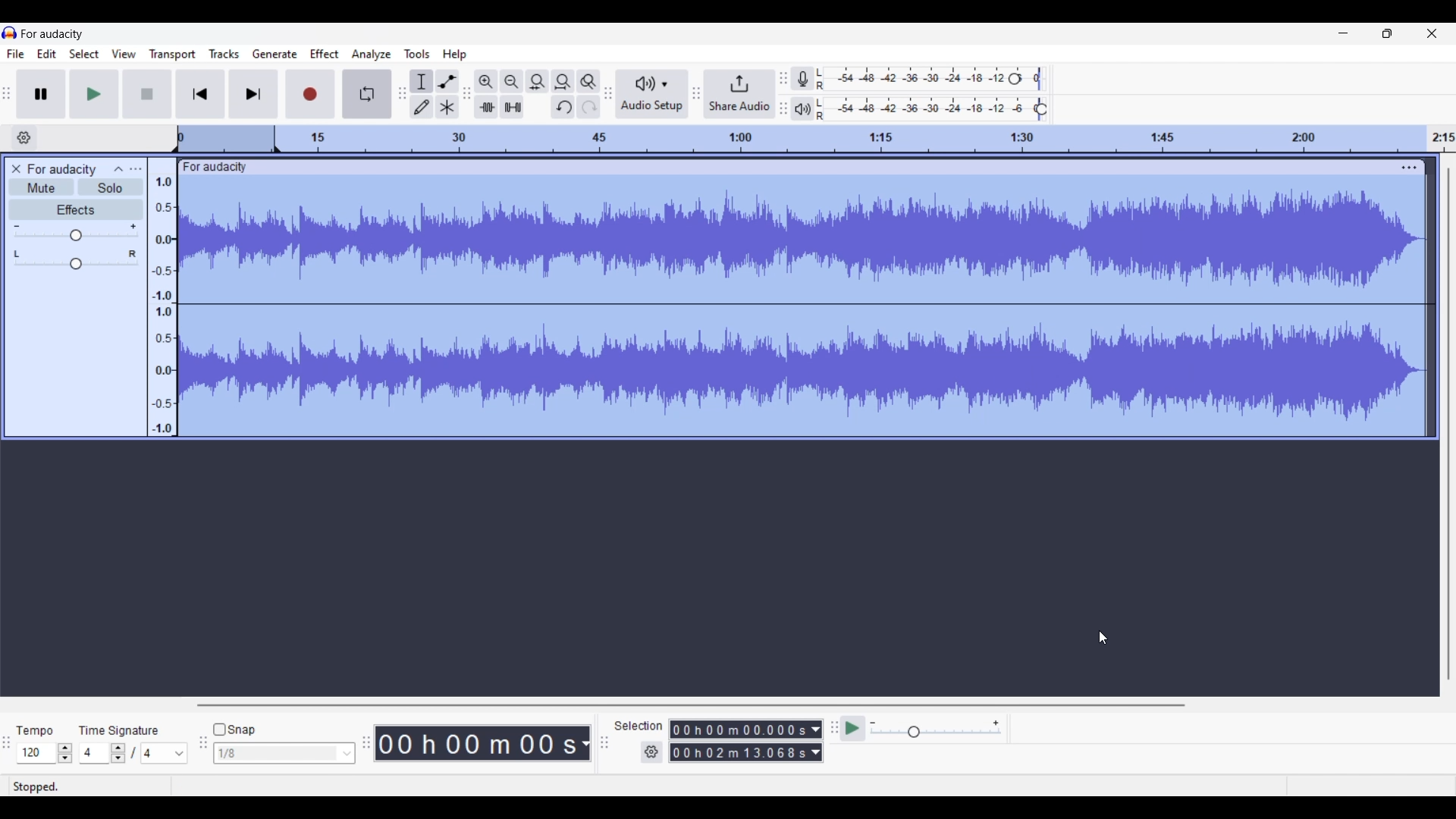 The height and width of the screenshot is (819, 1456). What do you see at coordinates (96, 754) in the screenshot?
I see `Type in time signature` at bounding box center [96, 754].